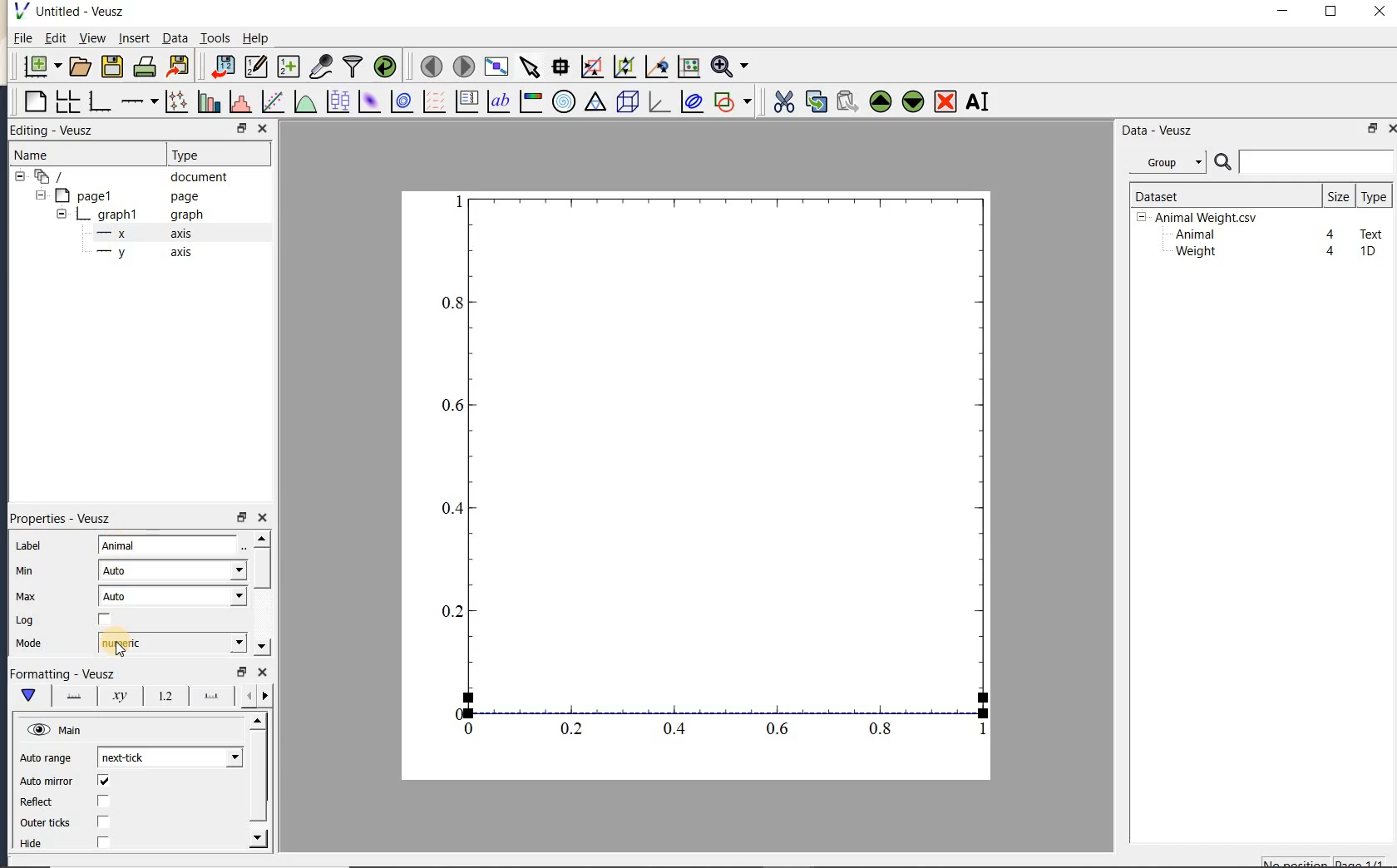  I want to click on close, so click(262, 518).